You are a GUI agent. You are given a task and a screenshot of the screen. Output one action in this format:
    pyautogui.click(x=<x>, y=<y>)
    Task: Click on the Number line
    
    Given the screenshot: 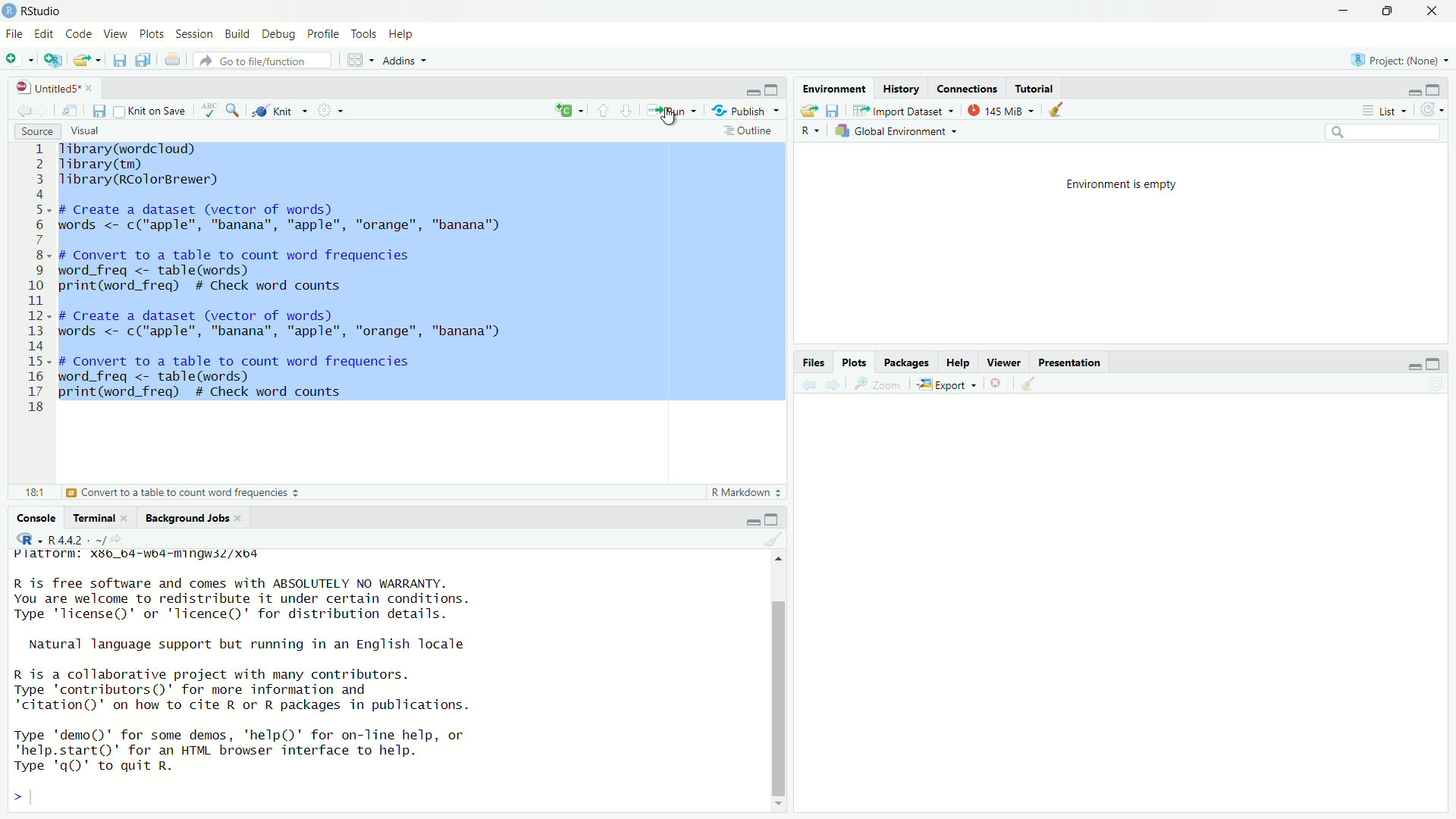 What is the action you would take?
    pyautogui.click(x=36, y=279)
    